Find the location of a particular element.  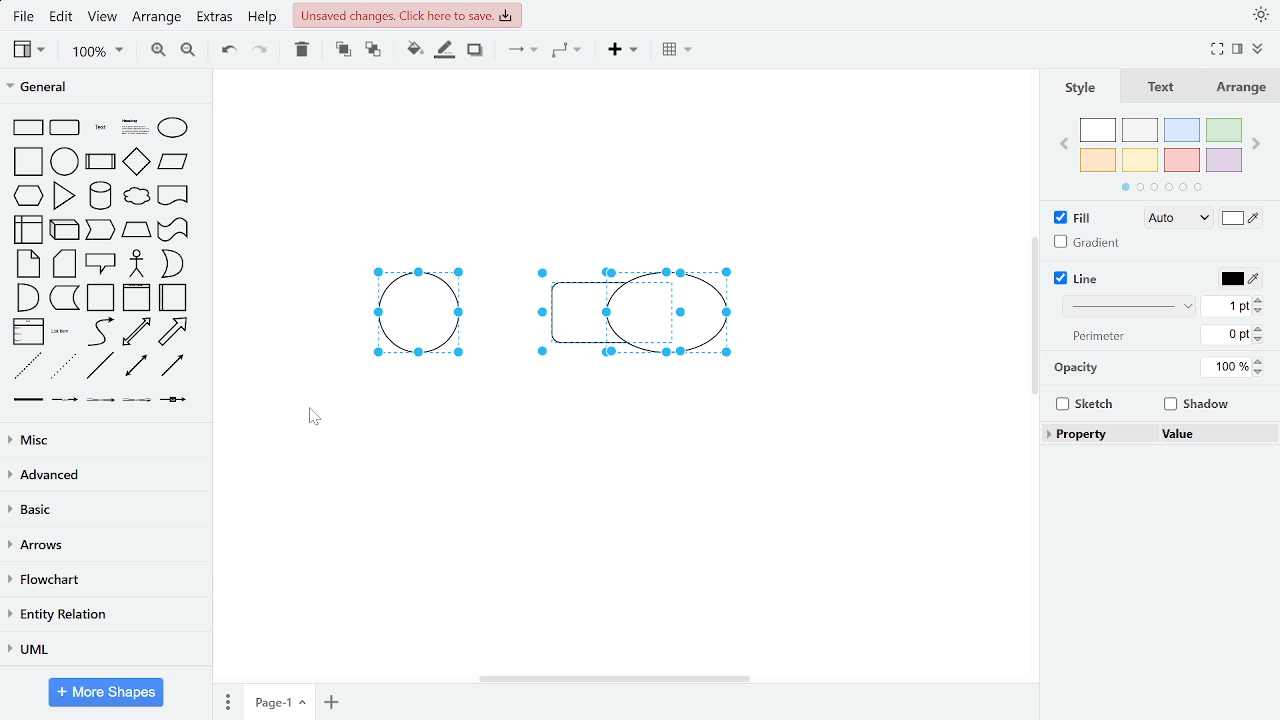

to back is located at coordinates (370, 50).